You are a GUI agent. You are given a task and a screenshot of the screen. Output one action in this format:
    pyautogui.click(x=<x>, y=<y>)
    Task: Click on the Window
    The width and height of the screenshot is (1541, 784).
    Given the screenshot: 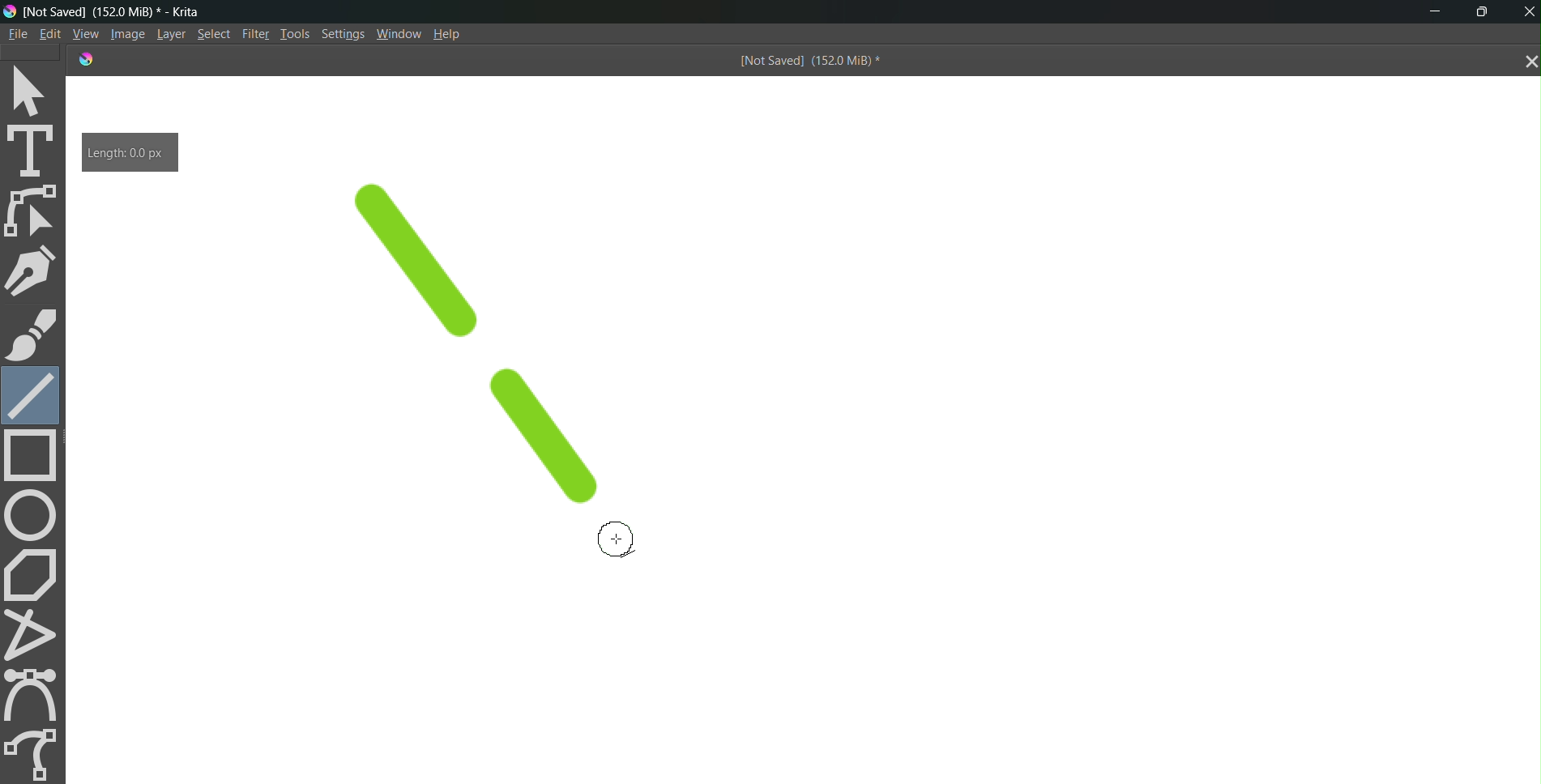 What is the action you would take?
    pyautogui.click(x=399, y=34)
    